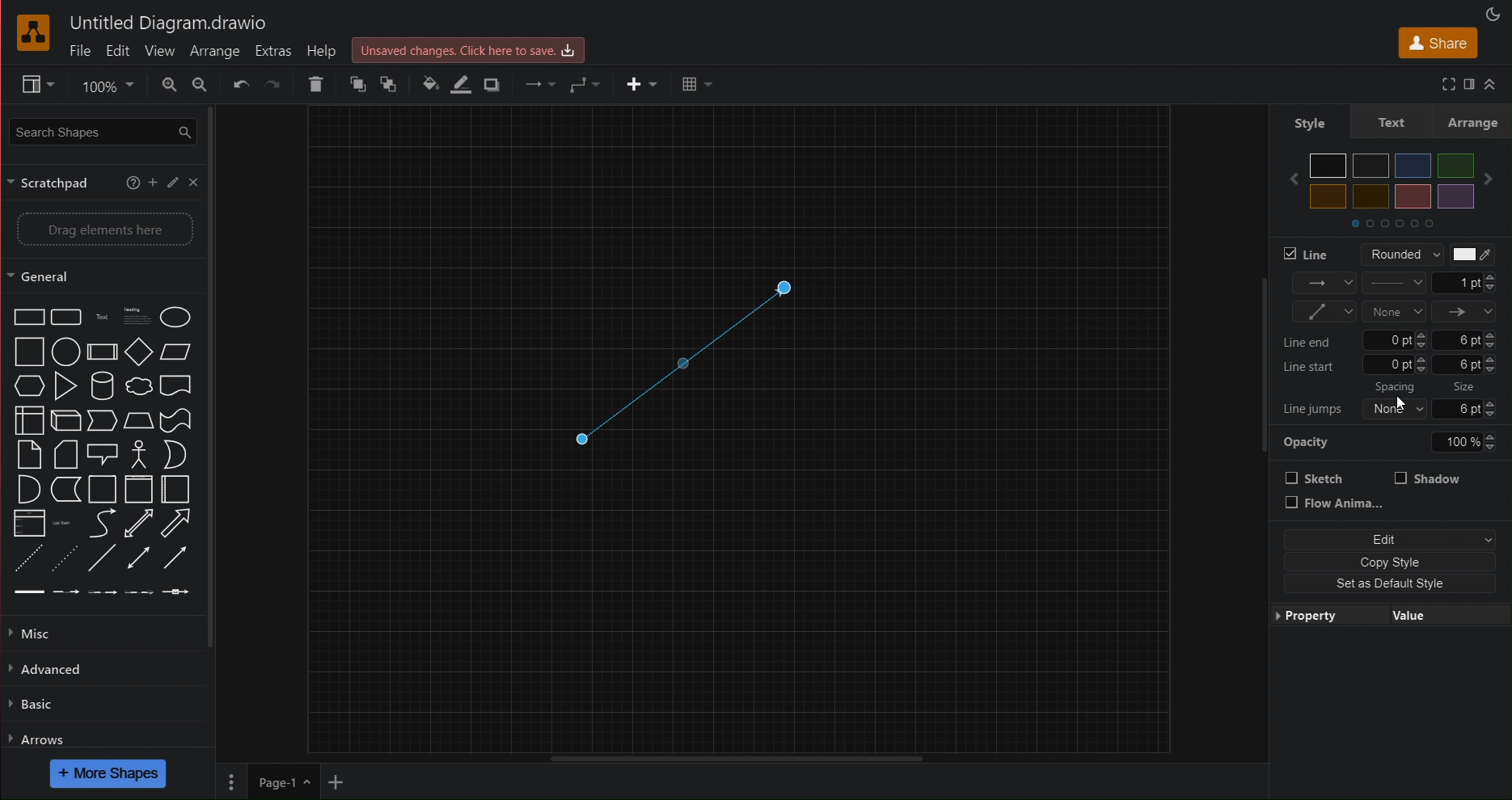 This screenshot has height=800, width=1512. Describe the element at coordinates (357, 84) in the screenshot. I see `Send to front` at that location.